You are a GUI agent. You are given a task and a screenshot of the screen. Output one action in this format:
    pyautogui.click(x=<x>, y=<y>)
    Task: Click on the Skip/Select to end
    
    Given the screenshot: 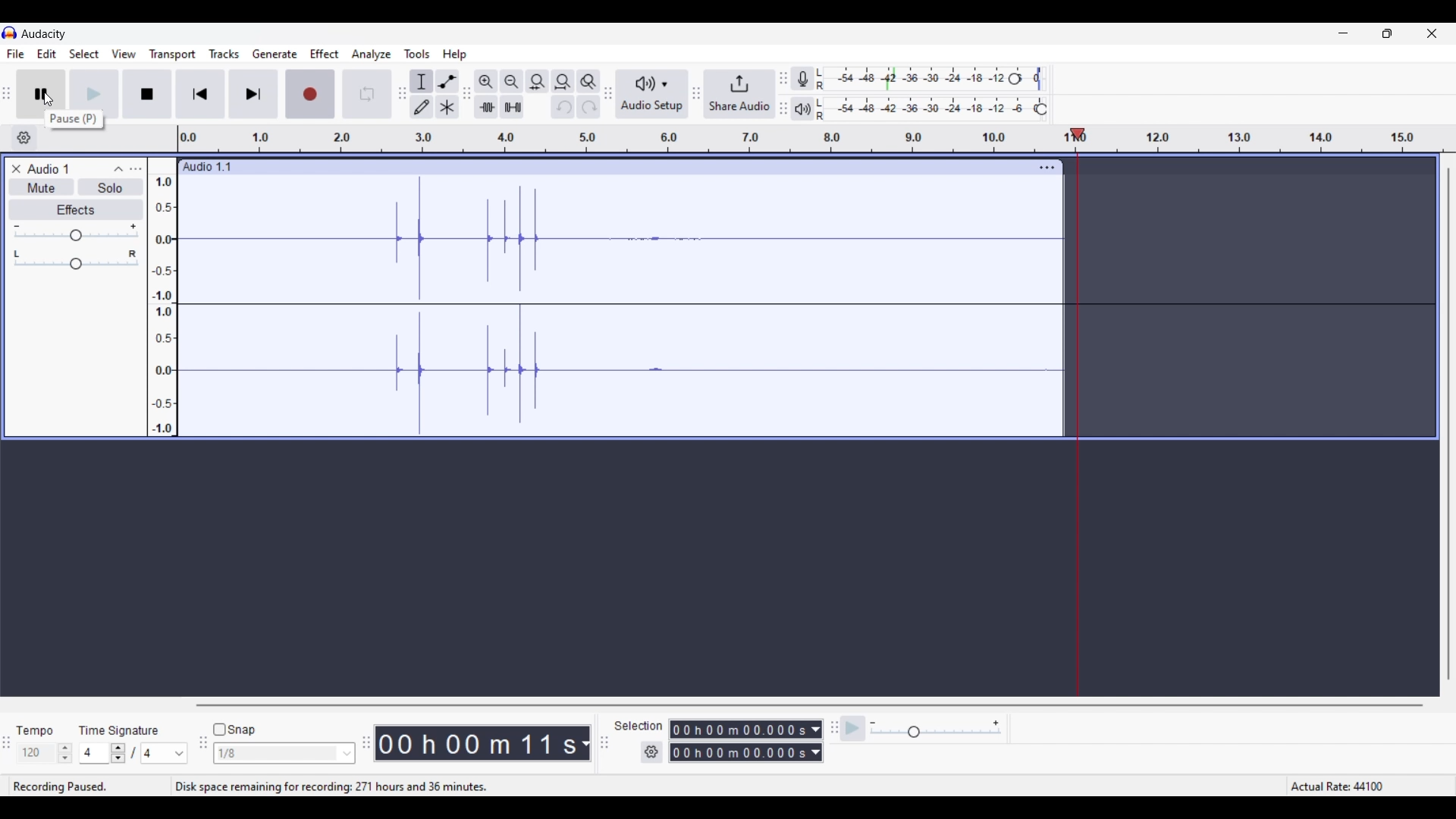 What is the action you would take?
    pyautogui.click(x=249, y=94)
    